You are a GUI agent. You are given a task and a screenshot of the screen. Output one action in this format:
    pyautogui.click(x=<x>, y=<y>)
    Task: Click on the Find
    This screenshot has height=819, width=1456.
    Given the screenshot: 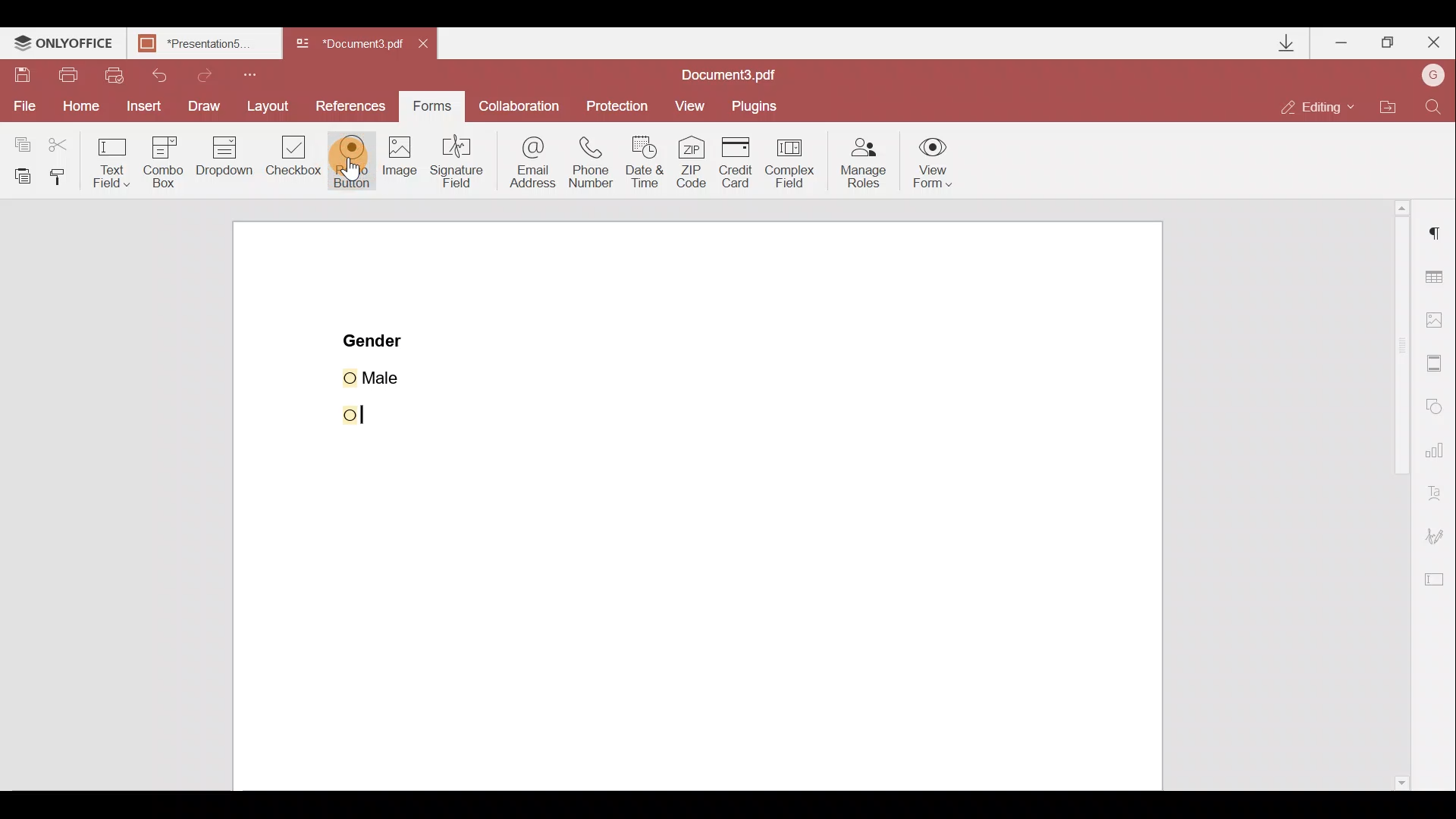 What is the action you would take?
    pyautogui.click(x=1434, y=104)
    